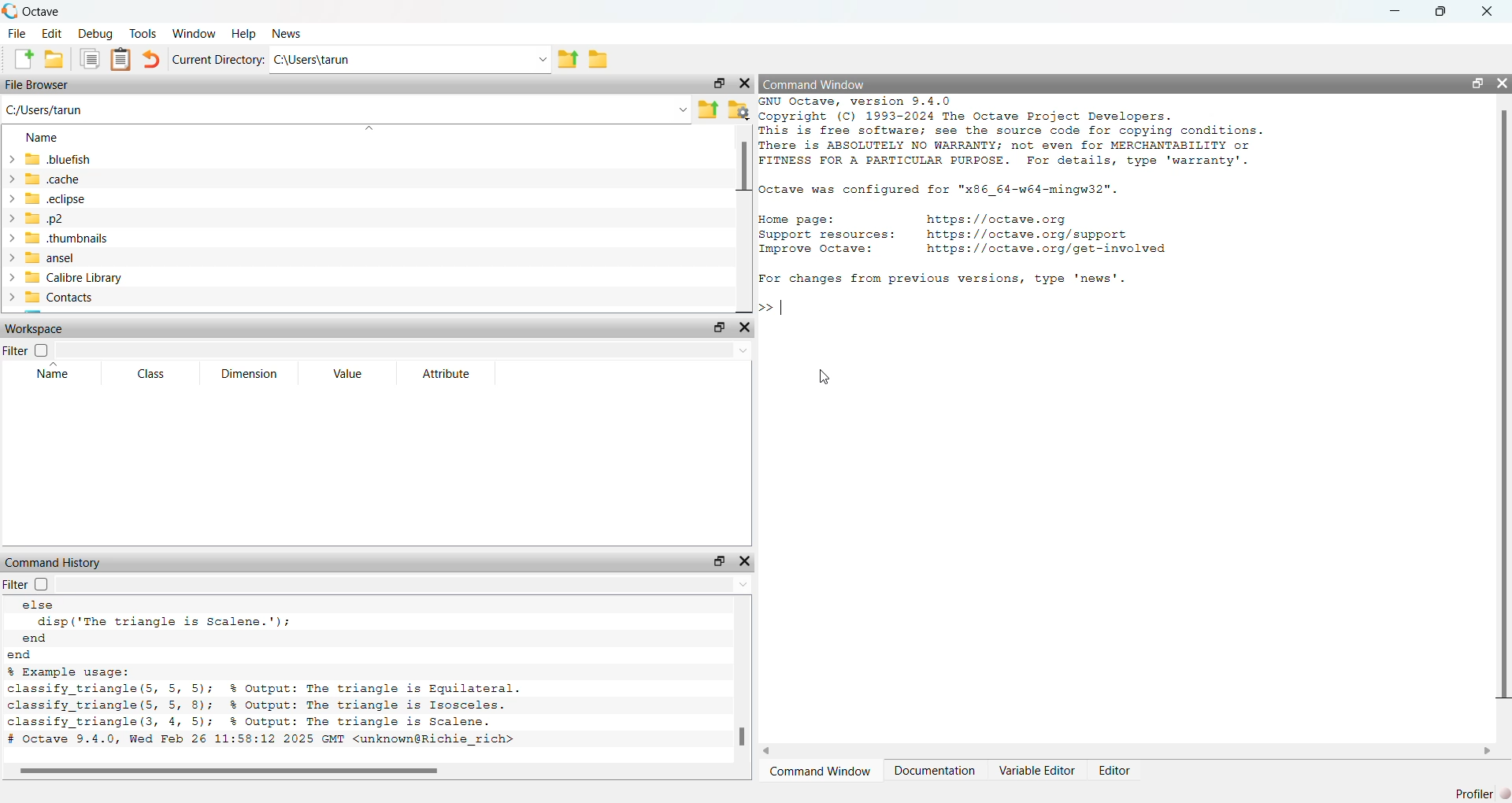 The image size is (1512, 803). Describe the element at coordinates (773, 749) in the screenshot. I see `move left` at that location.